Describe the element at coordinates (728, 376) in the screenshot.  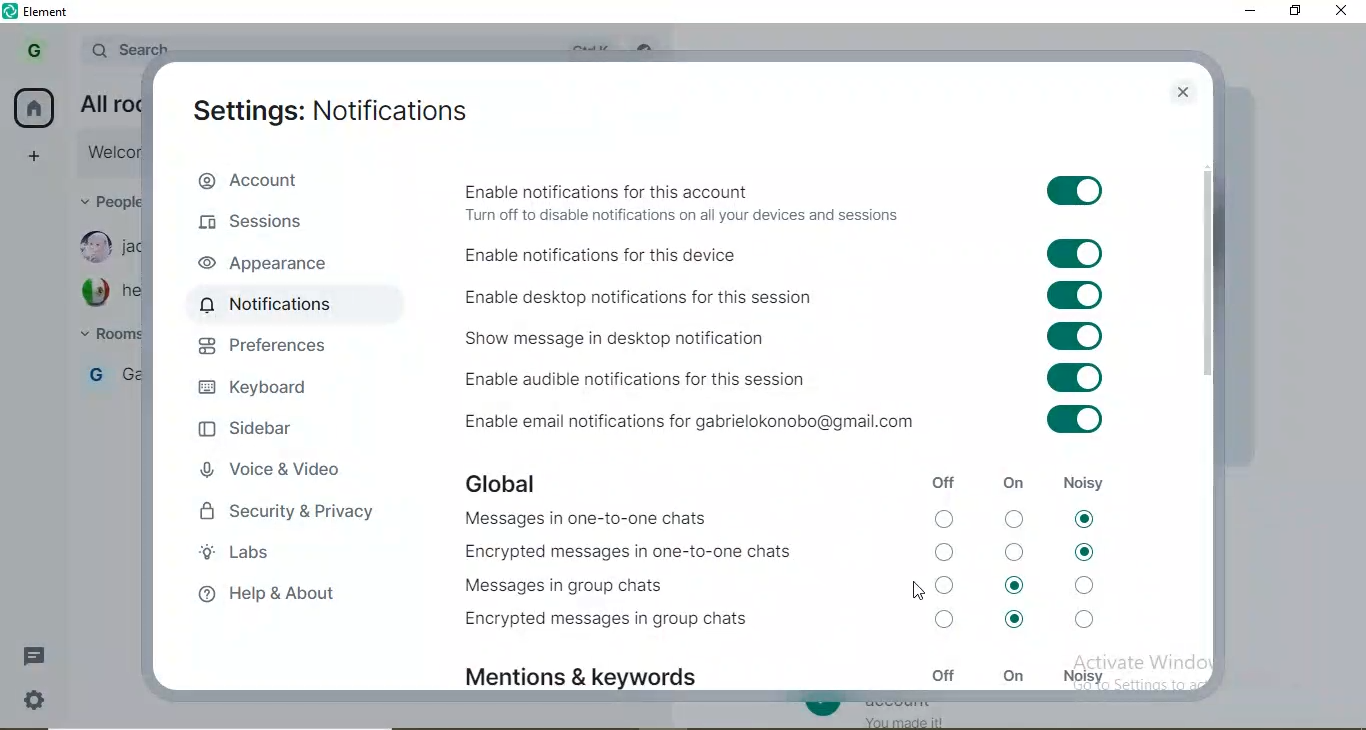
I see `enable auidible notifications for this session` at that location.